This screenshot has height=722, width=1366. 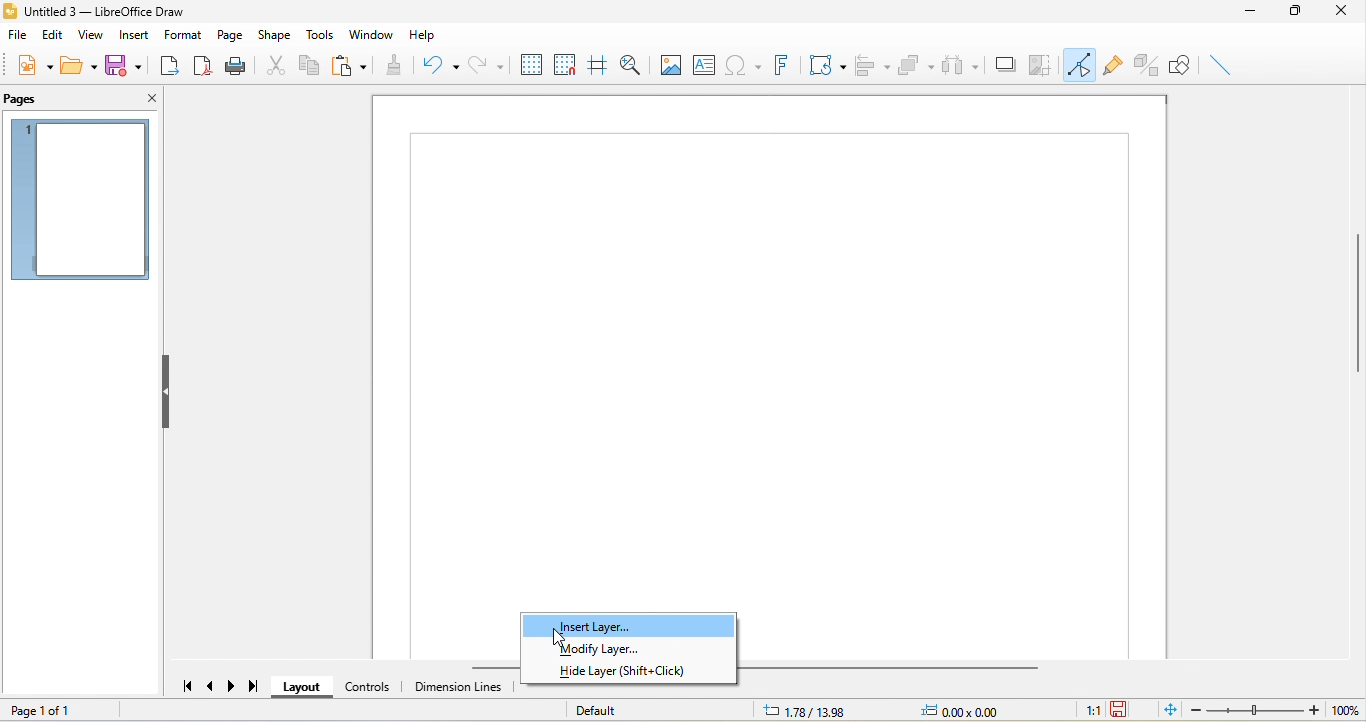 What do you see at coordinates (257, 689) in the screenshot?
I see `last page` at bounding box center [257, 689].